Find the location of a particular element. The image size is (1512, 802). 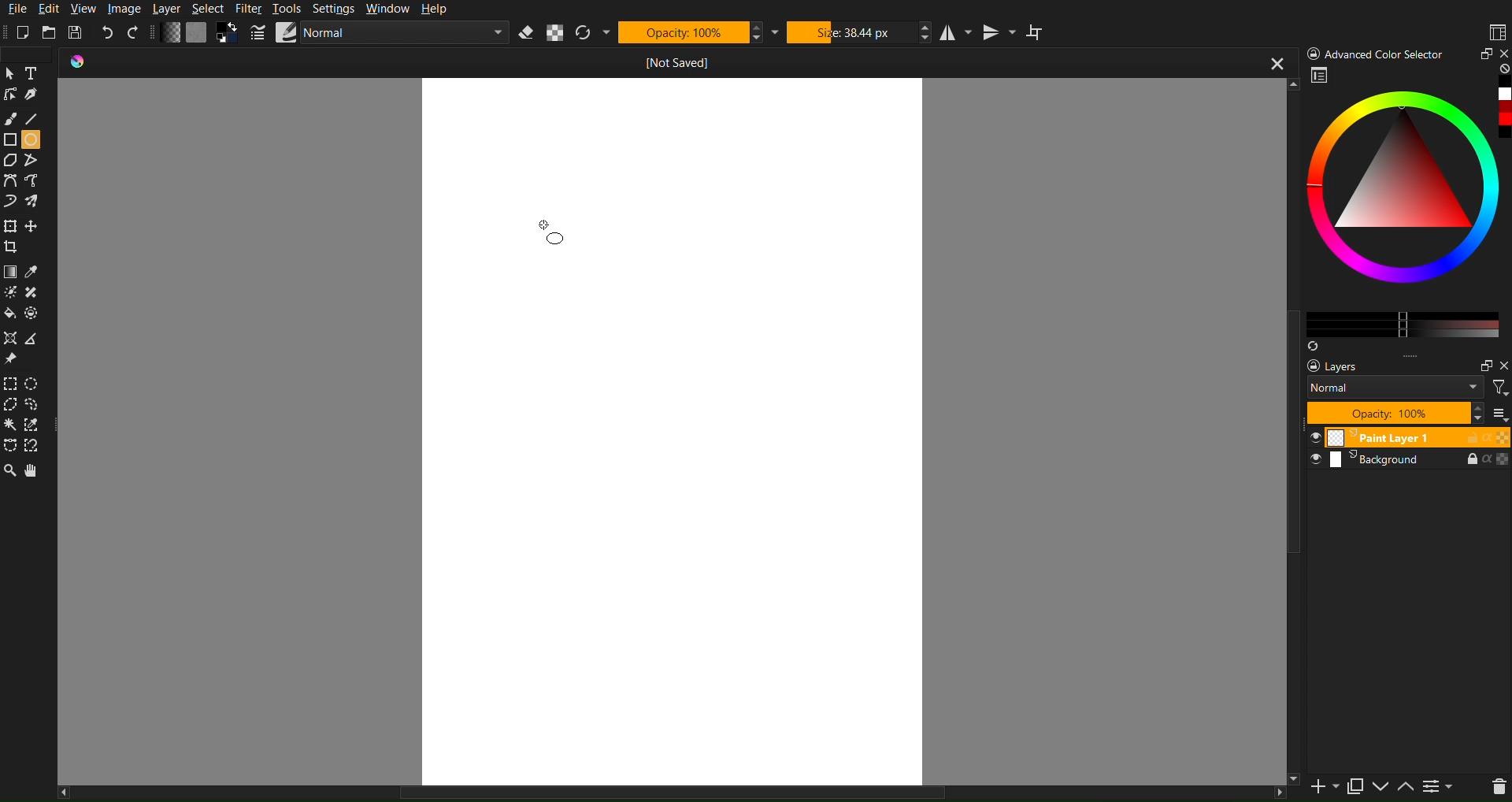

Open is located at coordinates (54, 31).